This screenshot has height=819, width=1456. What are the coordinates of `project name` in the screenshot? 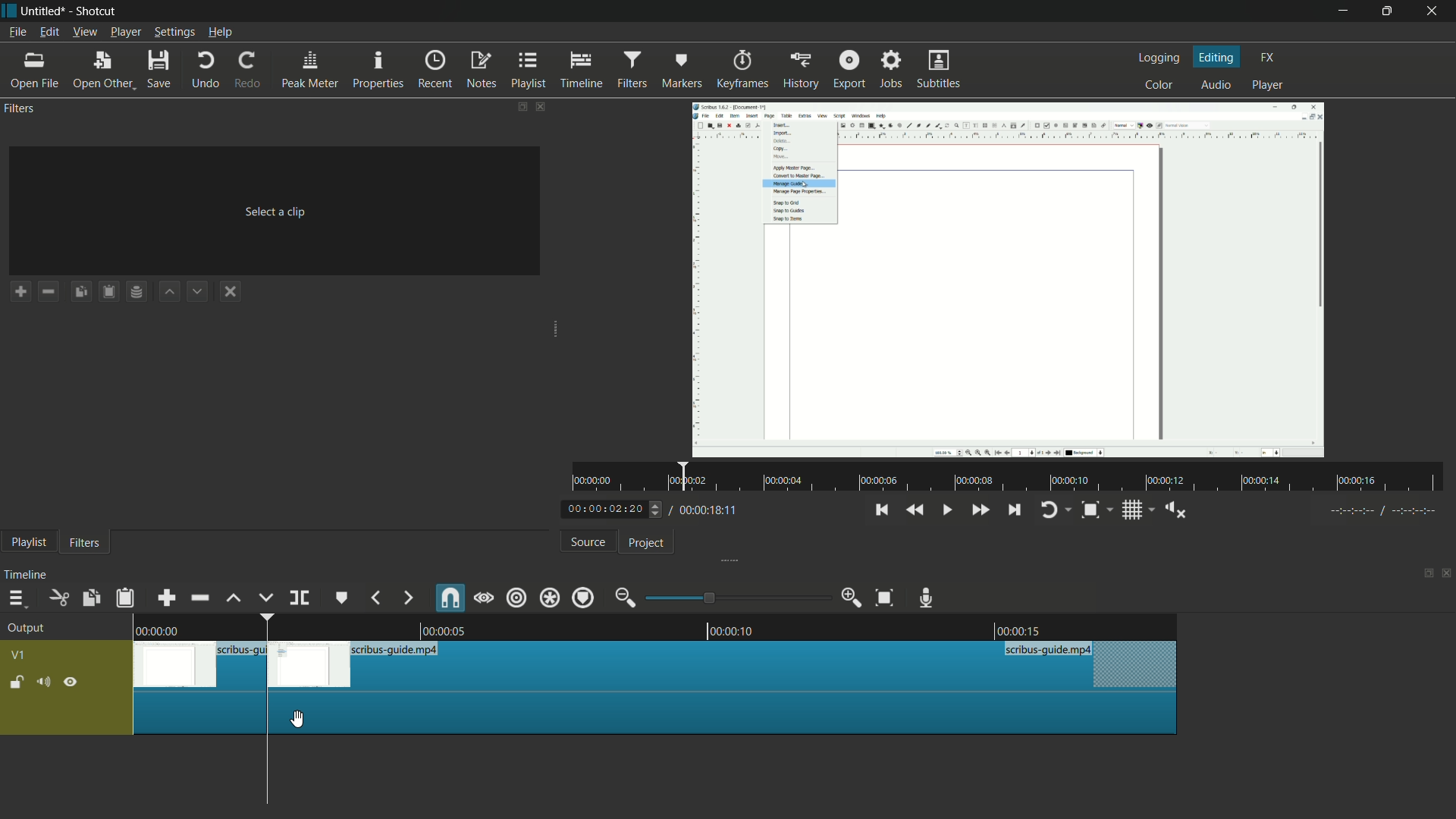 It's located at (43, 10).